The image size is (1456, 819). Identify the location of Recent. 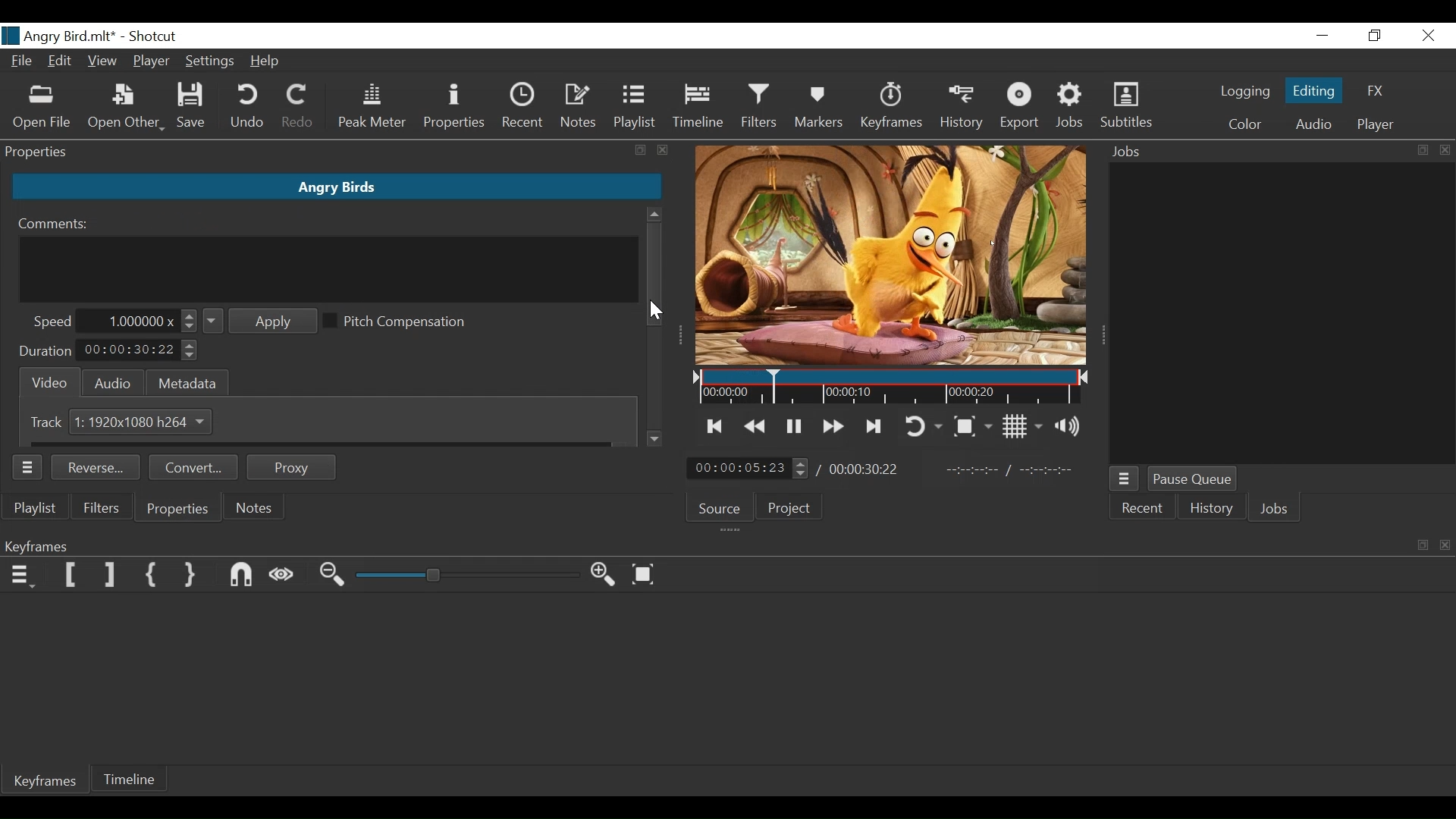
(521, 107).